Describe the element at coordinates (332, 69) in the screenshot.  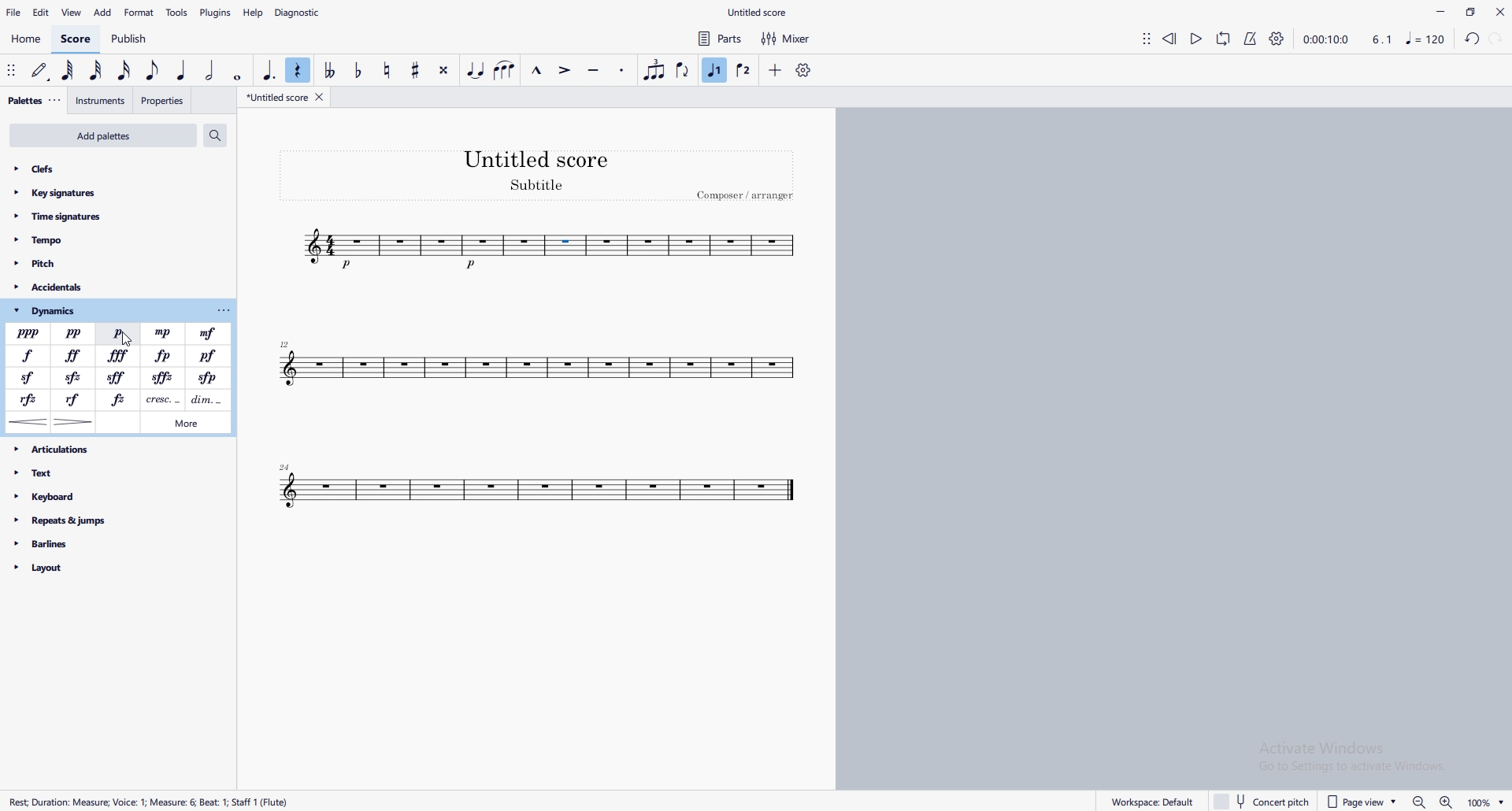
I see `toggle double flat` at that location.